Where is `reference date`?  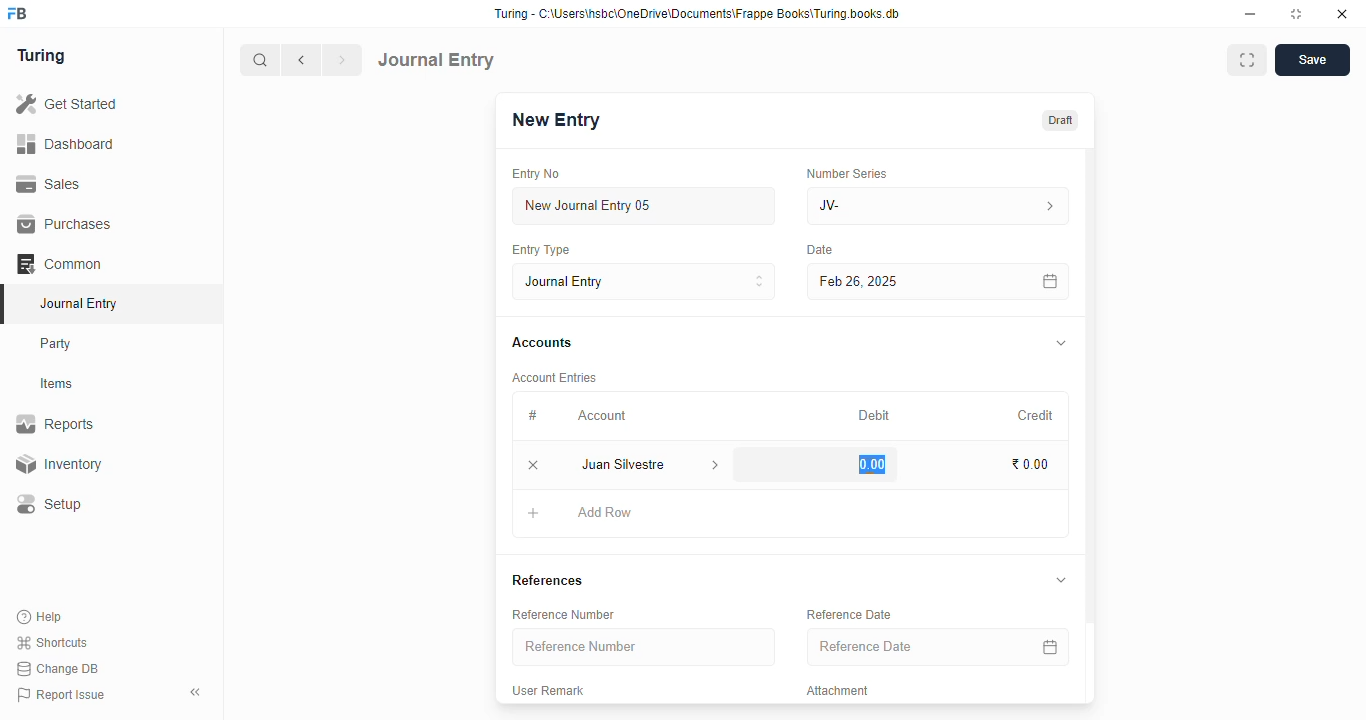
reference date is located at coordinates (909, 647).